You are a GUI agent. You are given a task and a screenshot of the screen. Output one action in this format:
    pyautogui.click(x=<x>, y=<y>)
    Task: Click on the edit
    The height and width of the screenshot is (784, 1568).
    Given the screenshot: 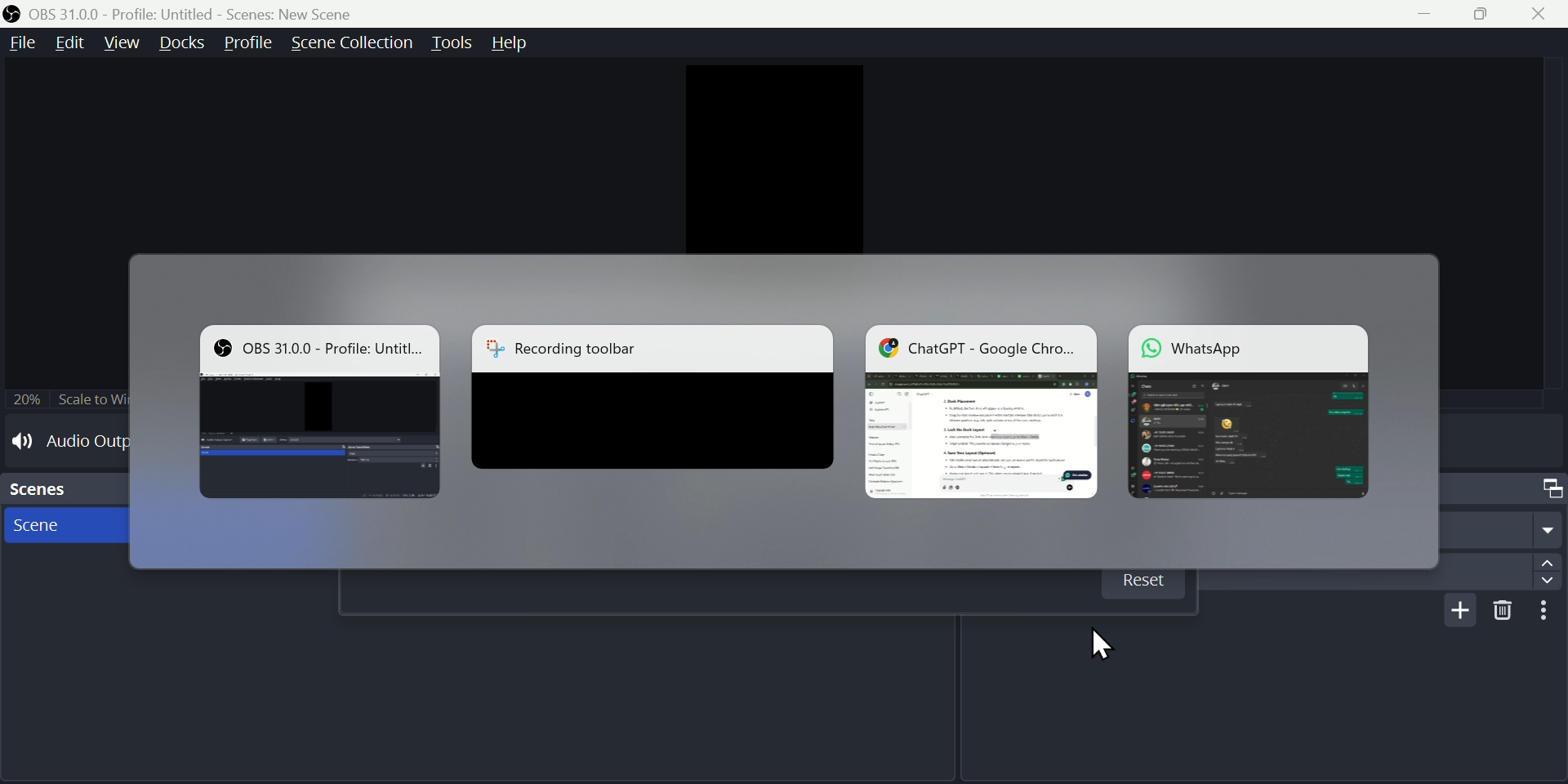 What is the action you would take?
    pyautogui.click(x=69, y=42)
    